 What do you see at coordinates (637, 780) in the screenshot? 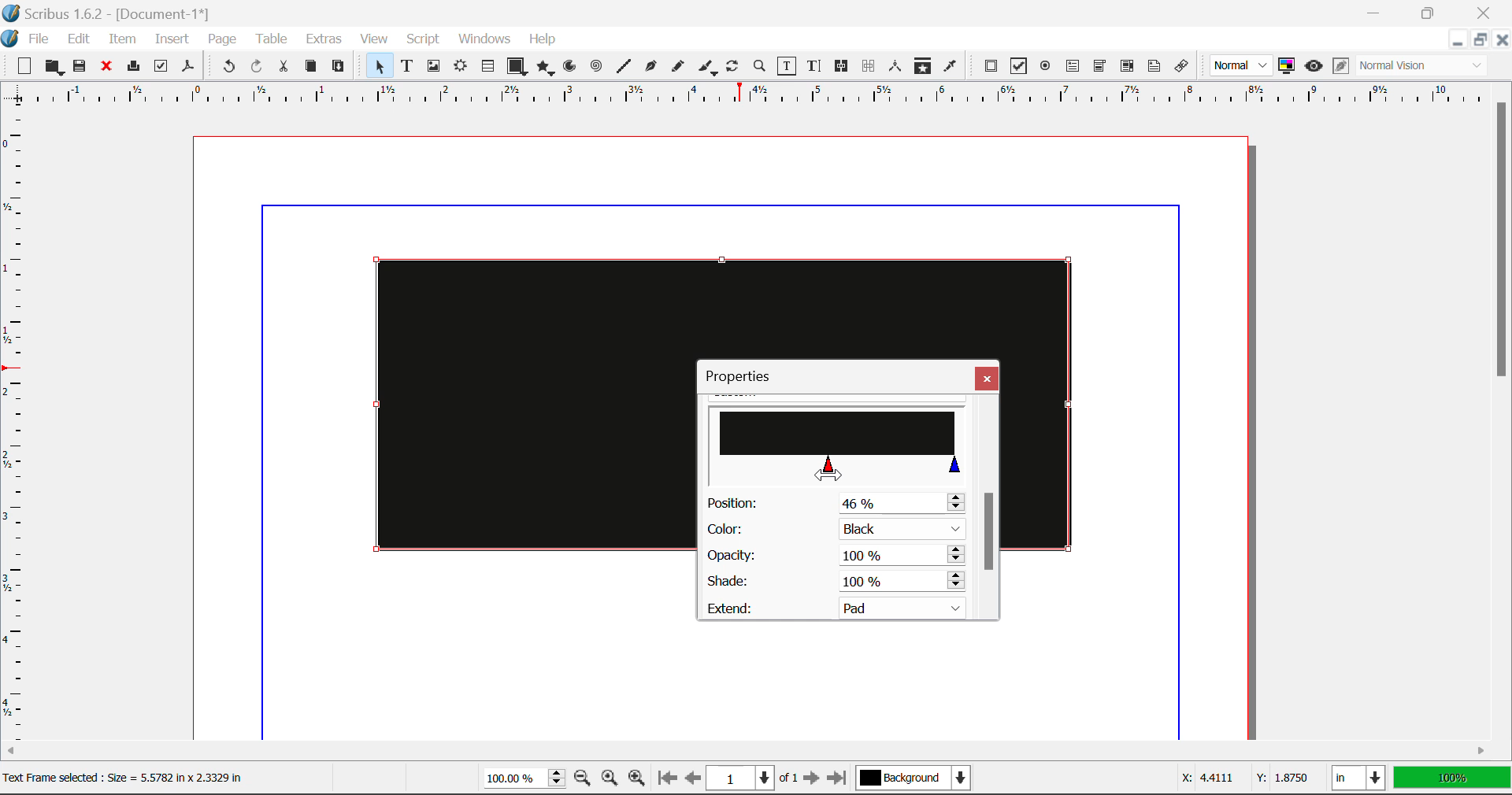
I see `Zoom In` at bounding box center [637, 780].